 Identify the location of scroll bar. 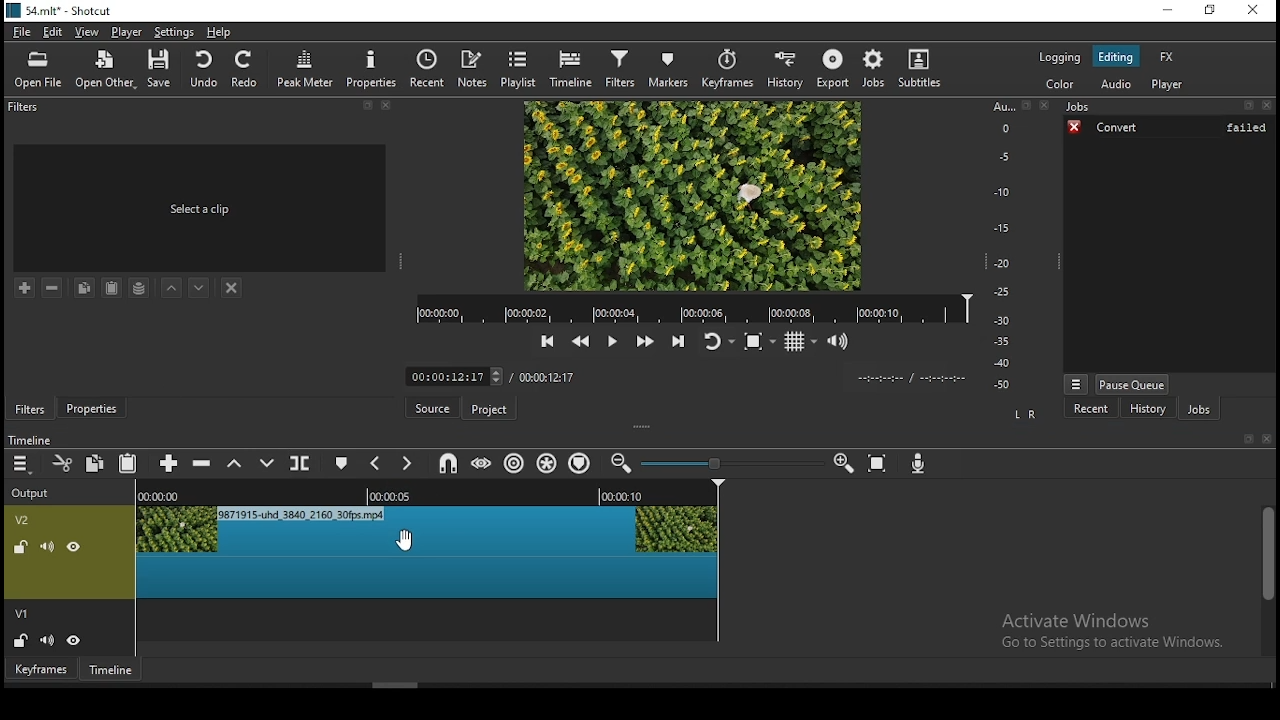
(1264, 580).